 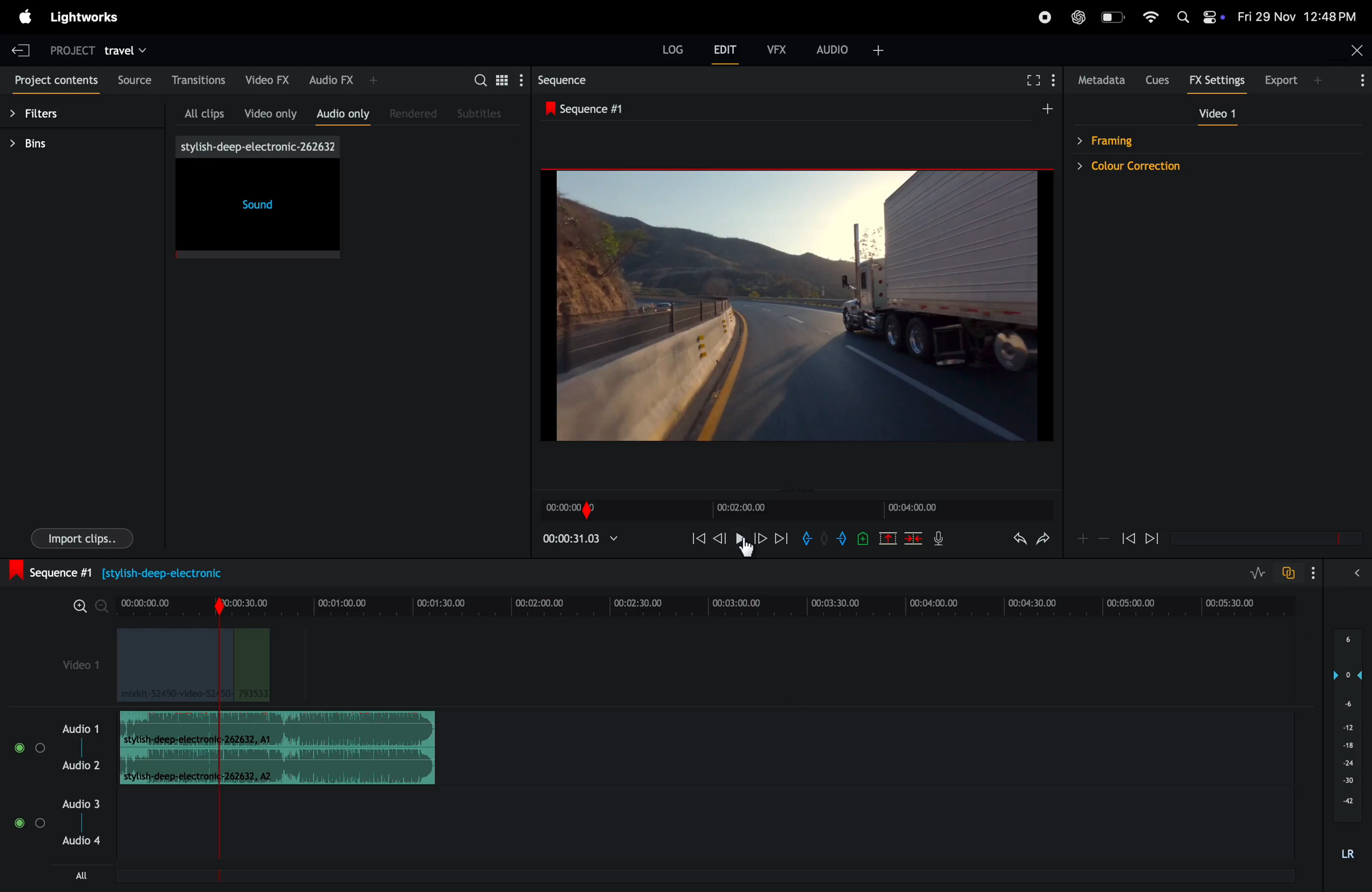 What do you see at coordinates (1349, 52) in the screenshot?
I see `close` at bounding box center [1349, 52].